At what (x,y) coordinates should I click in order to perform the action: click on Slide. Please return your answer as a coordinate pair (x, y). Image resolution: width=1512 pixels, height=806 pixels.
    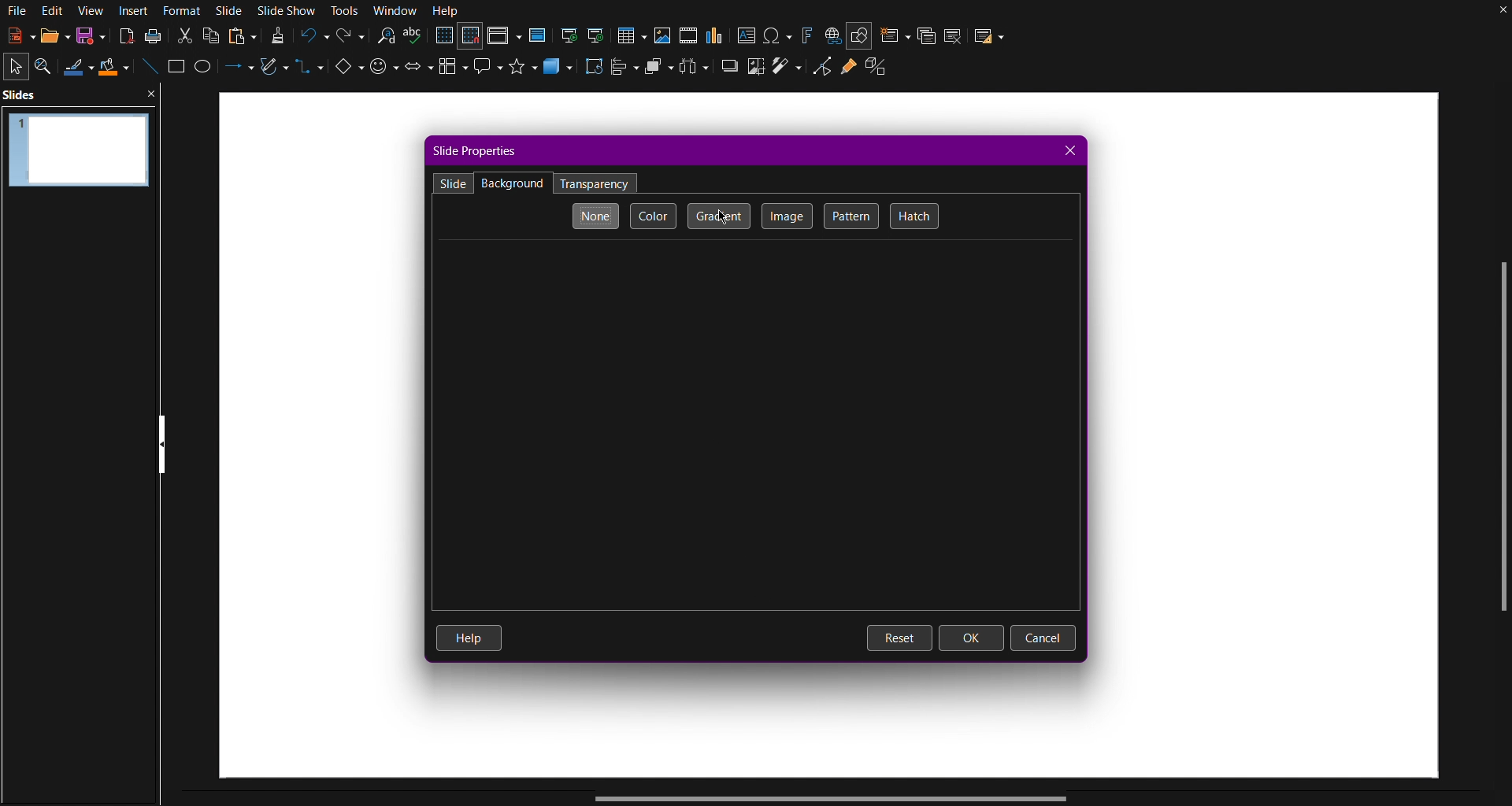
    Looking at the image, I should click on (231, 10).